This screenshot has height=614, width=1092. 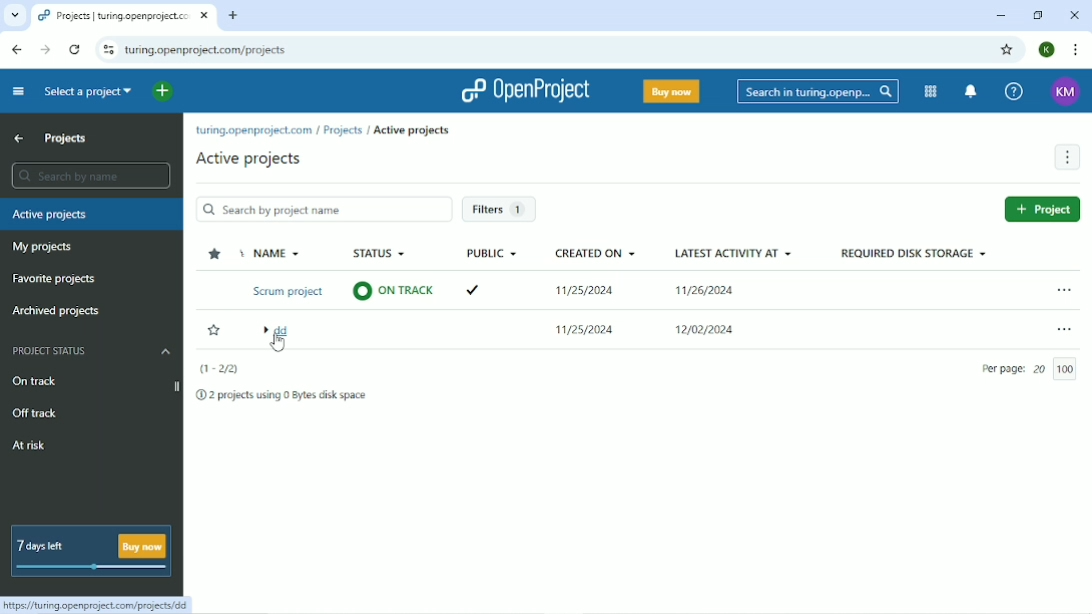 What do you see at coordinates (818, 92) in the screenshot?
I see `Search` at bounding box center [818, 92].